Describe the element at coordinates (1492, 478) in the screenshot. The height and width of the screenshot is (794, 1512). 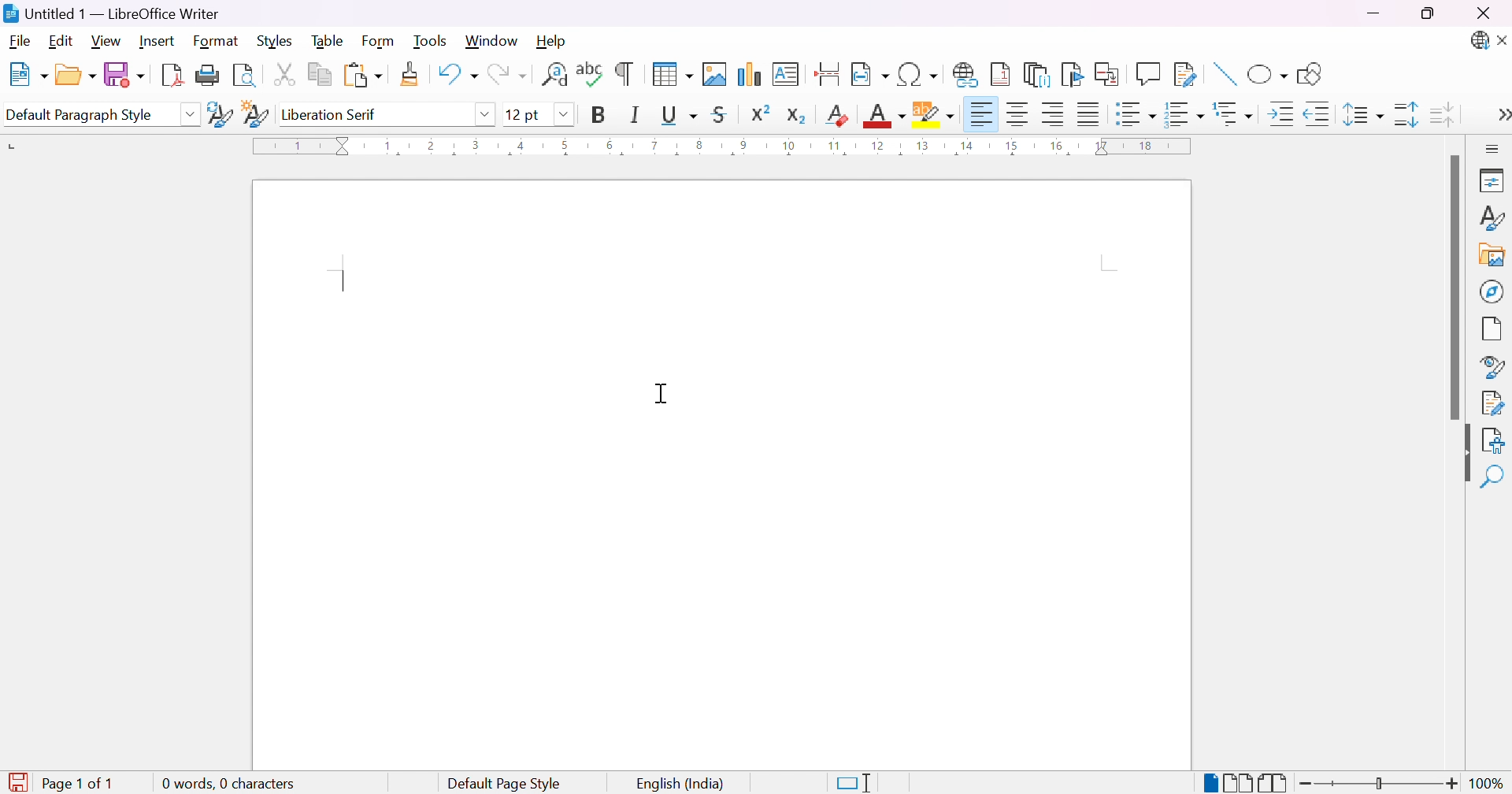
I see `Find` at that location.